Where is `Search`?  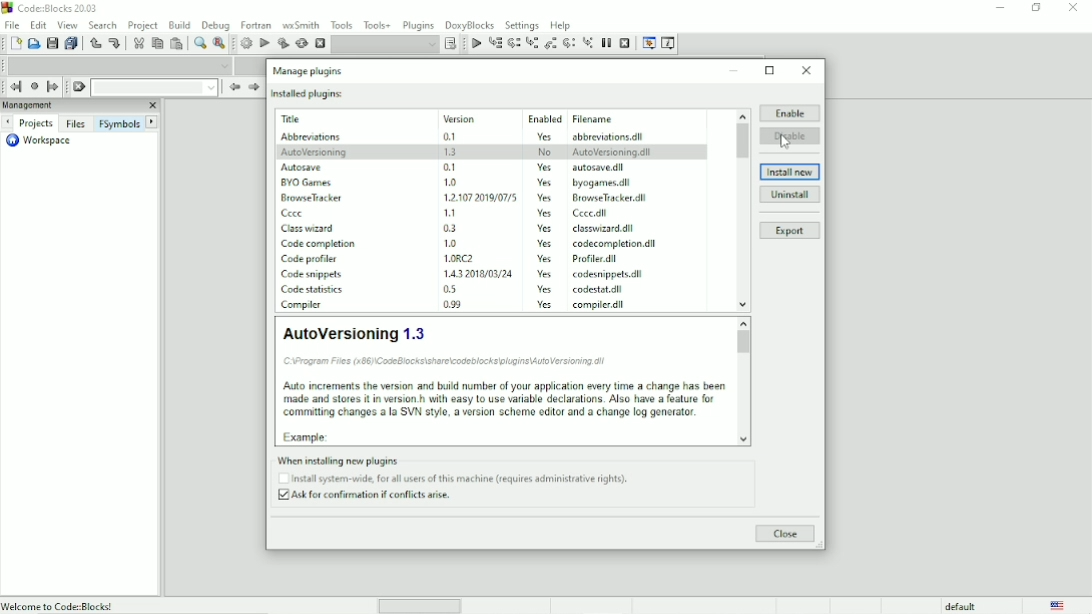 Search is located at coordinates (103, 24).